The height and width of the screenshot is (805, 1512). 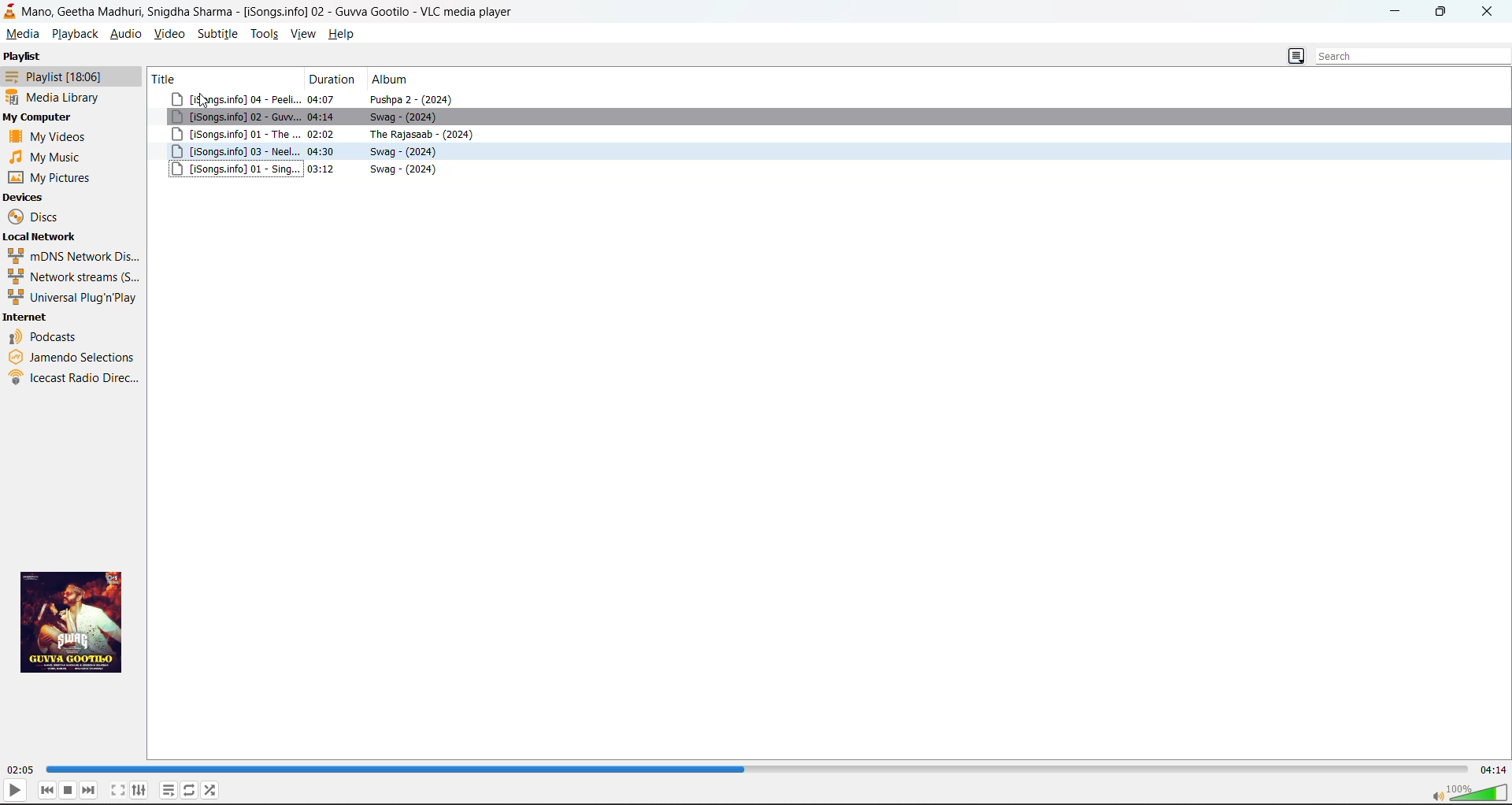 What do you see at coordinates (46, 336) in the screenshot?
I see `podcasts` at bounding box center [46, 336].